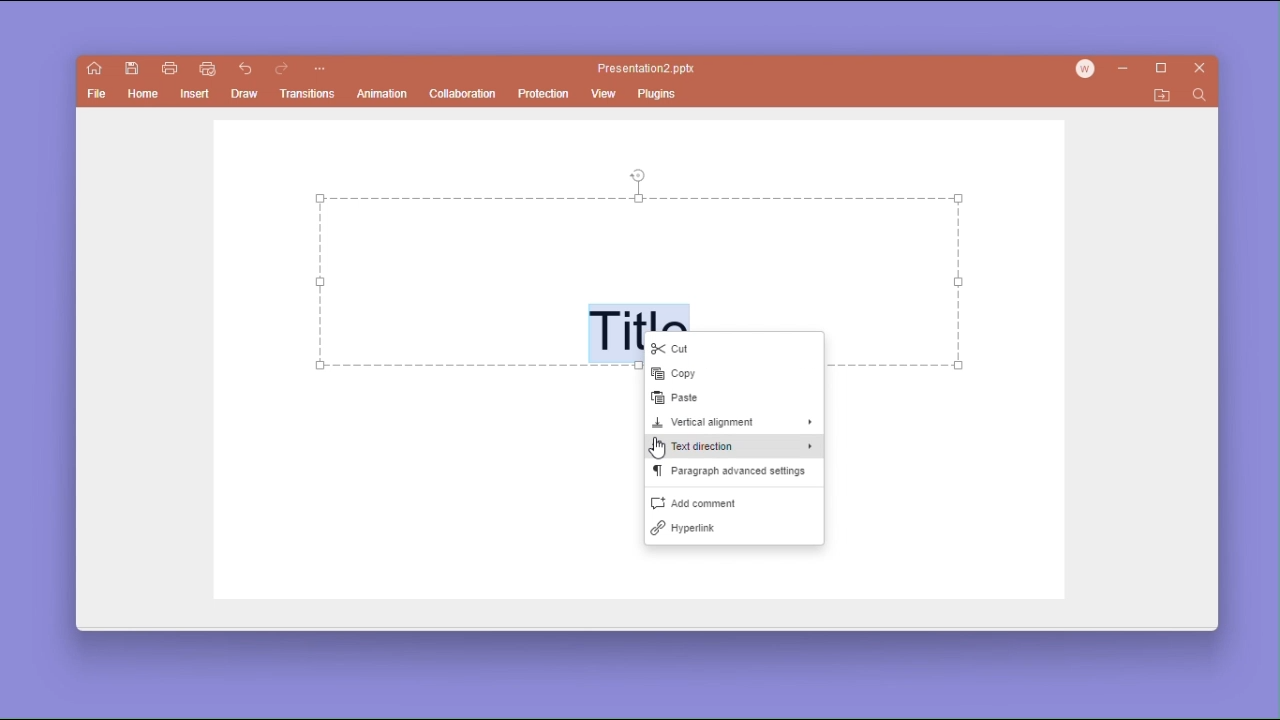  What do you see at coordinates (246, 70) in the screenshot?
I see `go back` at bounding box center [246, 70].